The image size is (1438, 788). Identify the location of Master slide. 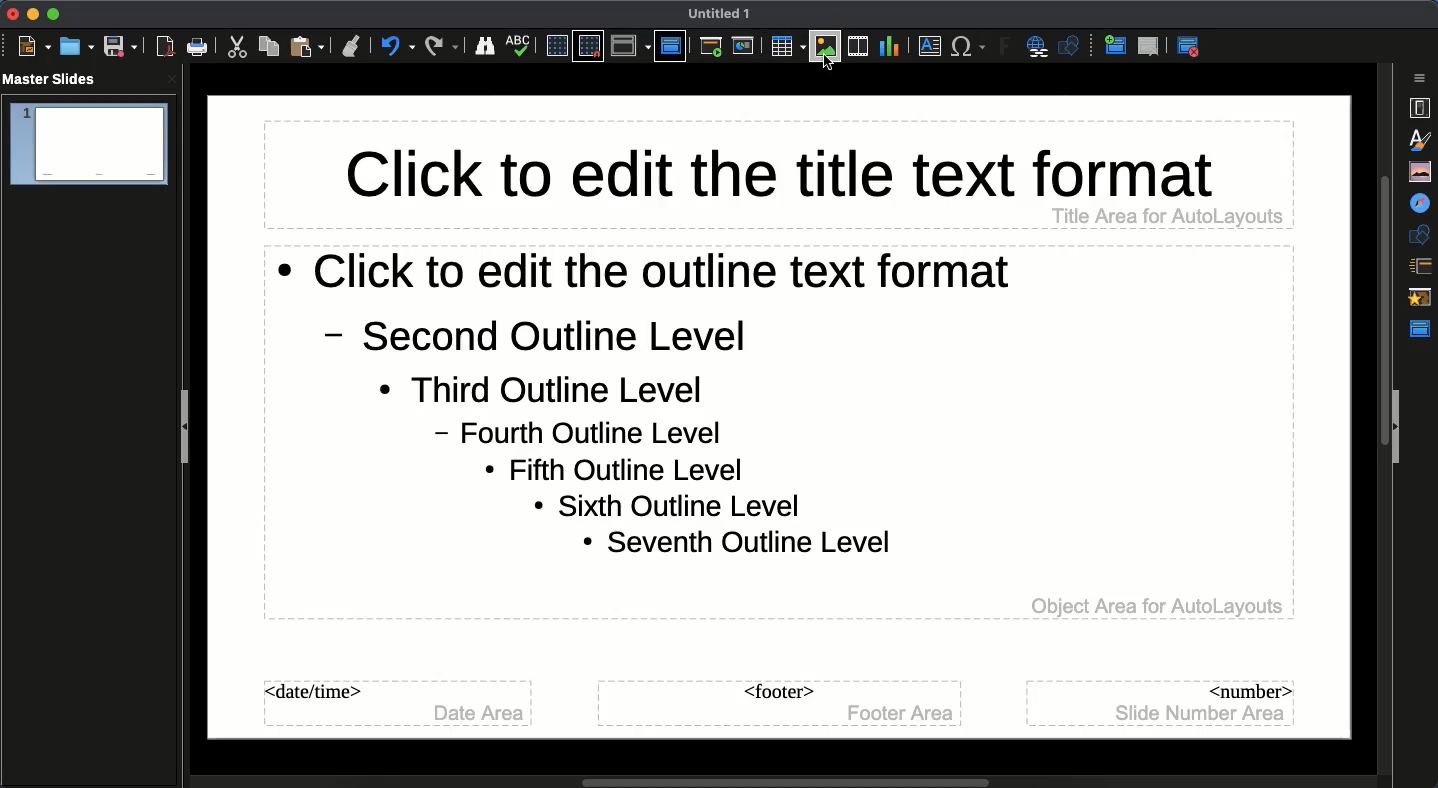
(1423, 329).